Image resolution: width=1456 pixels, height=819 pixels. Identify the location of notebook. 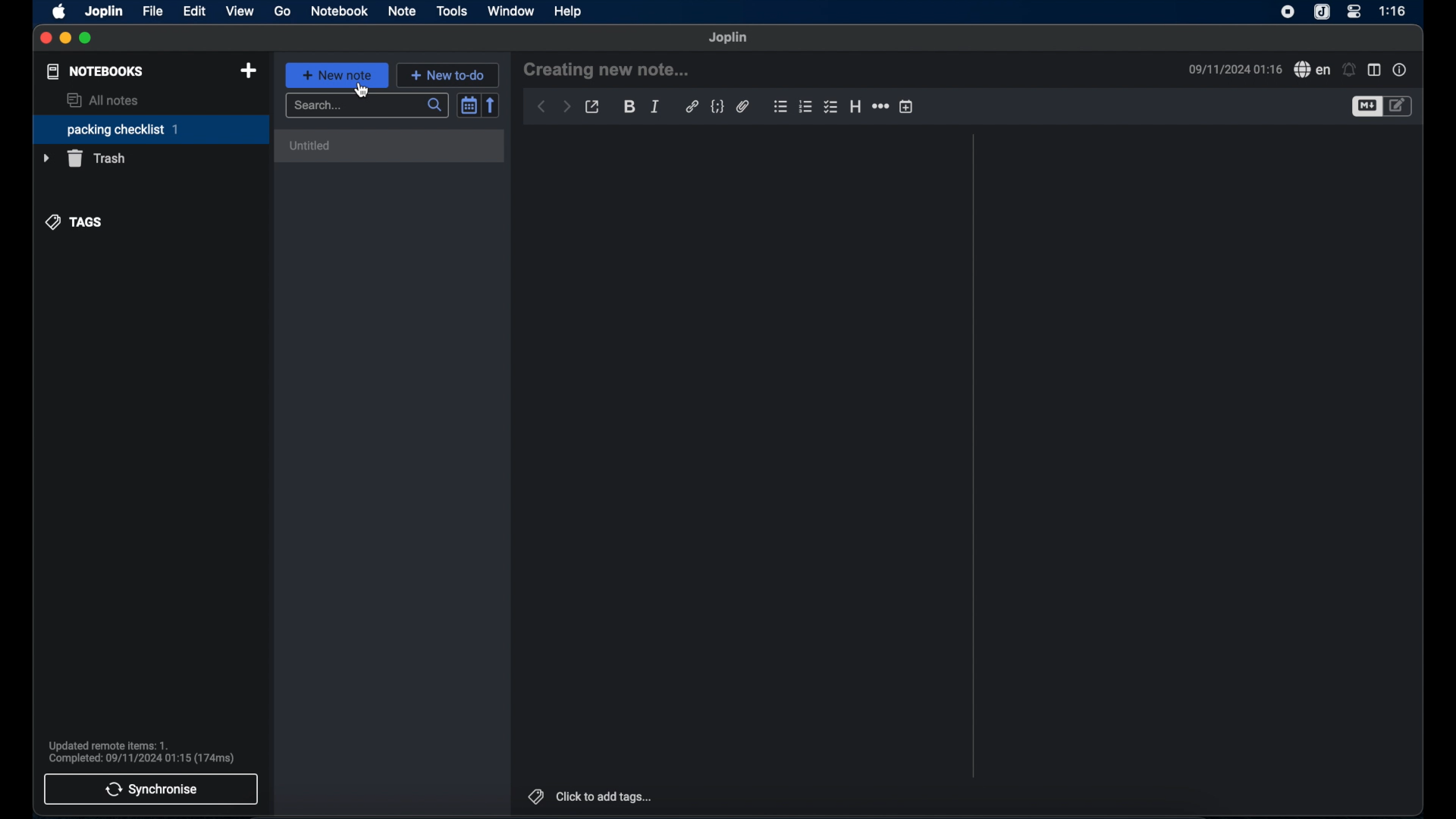
(339, 11).